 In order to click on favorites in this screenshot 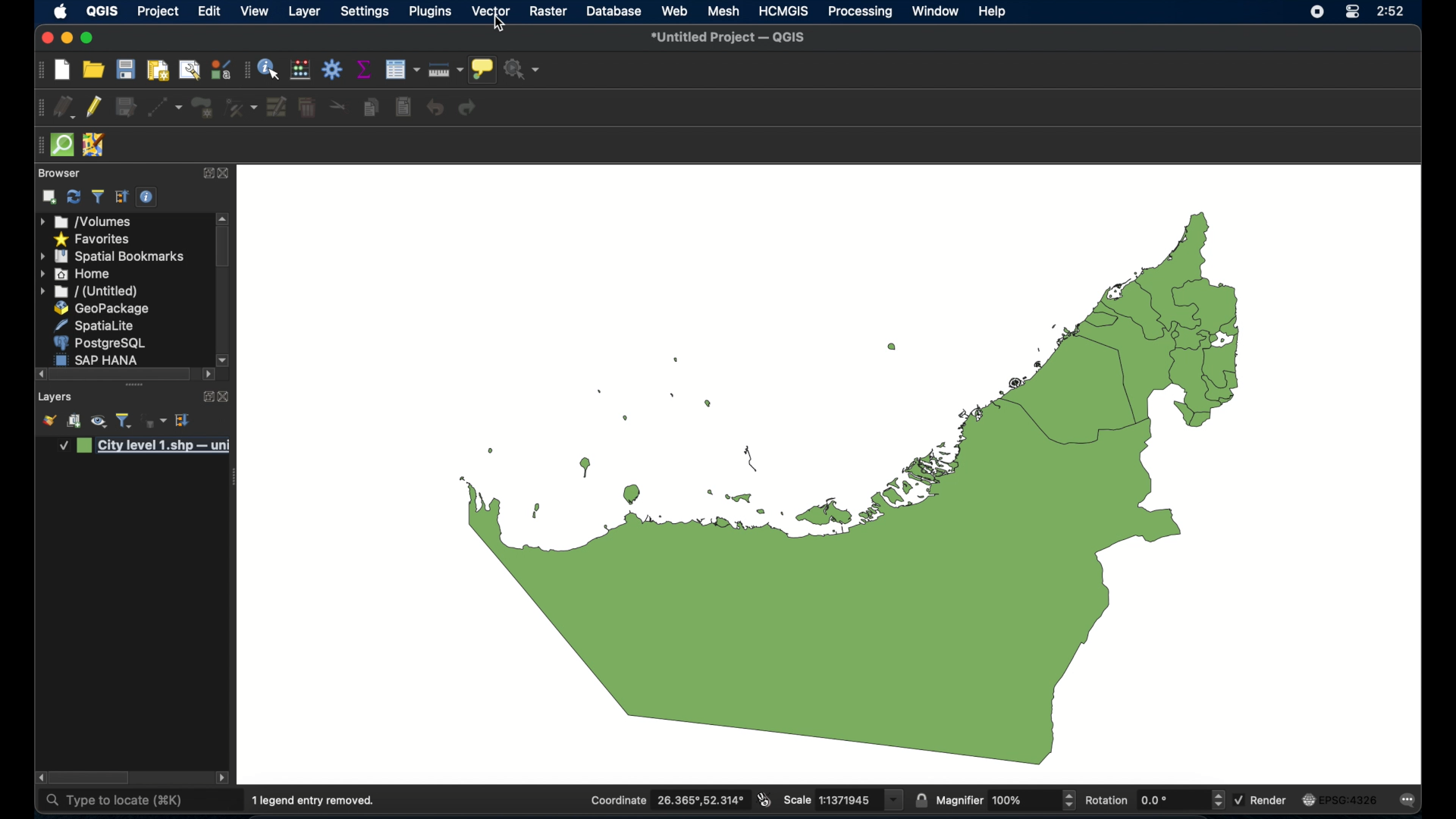, I will do `click(93, 240)`.